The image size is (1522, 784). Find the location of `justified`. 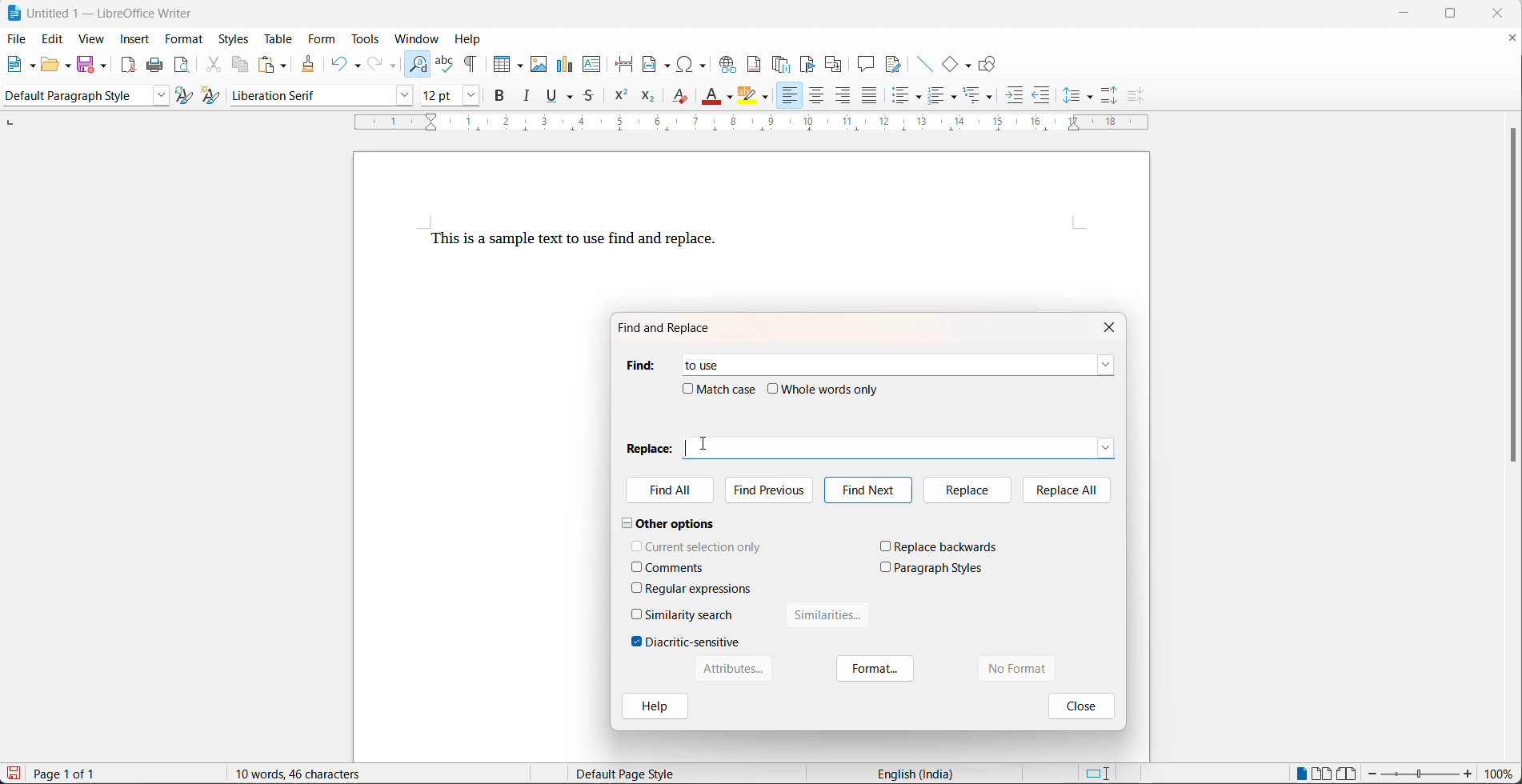

justified is located at coordinates (870, 97).